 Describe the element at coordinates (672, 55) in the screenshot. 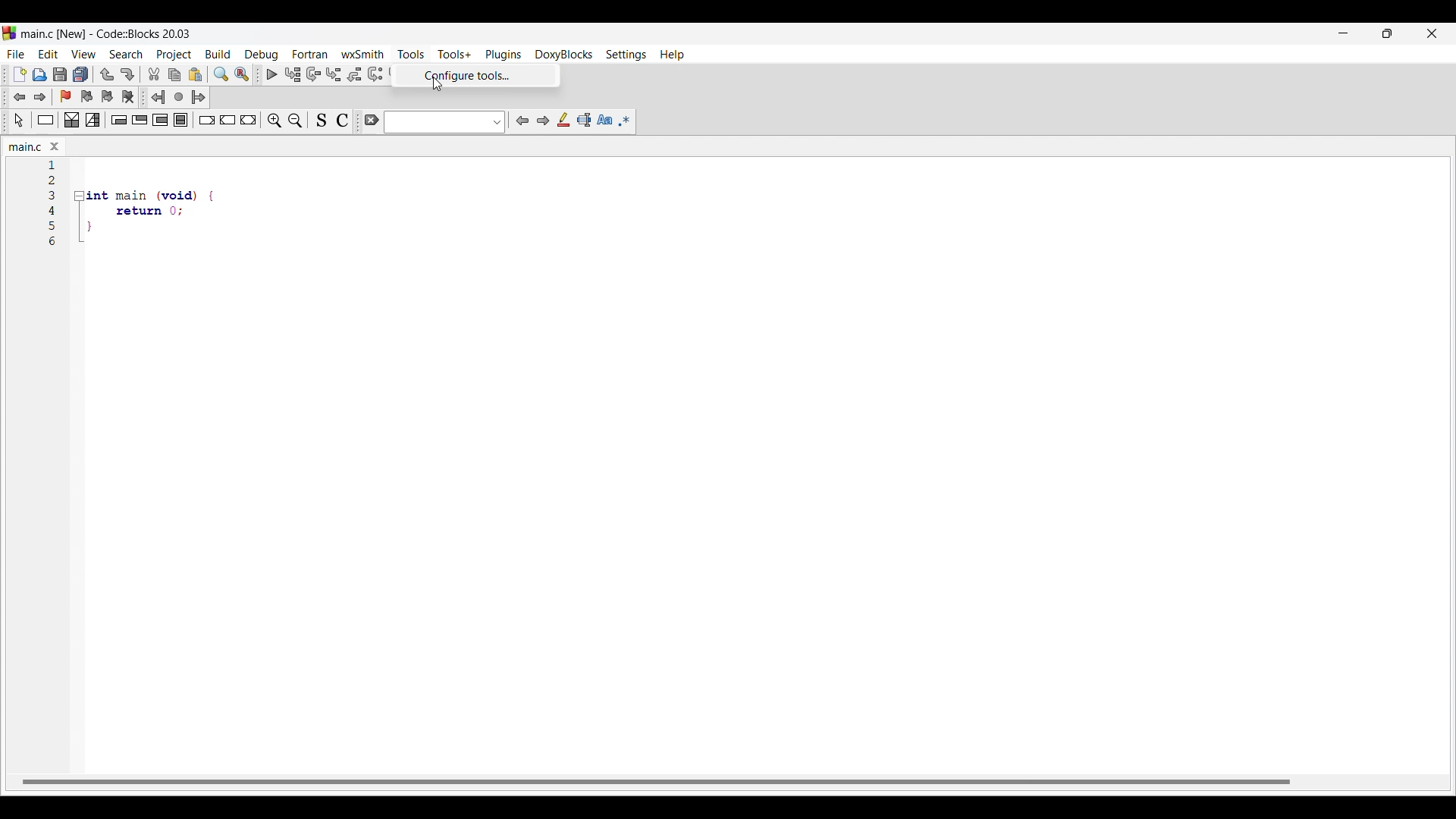

I see `Help menu` at that location.